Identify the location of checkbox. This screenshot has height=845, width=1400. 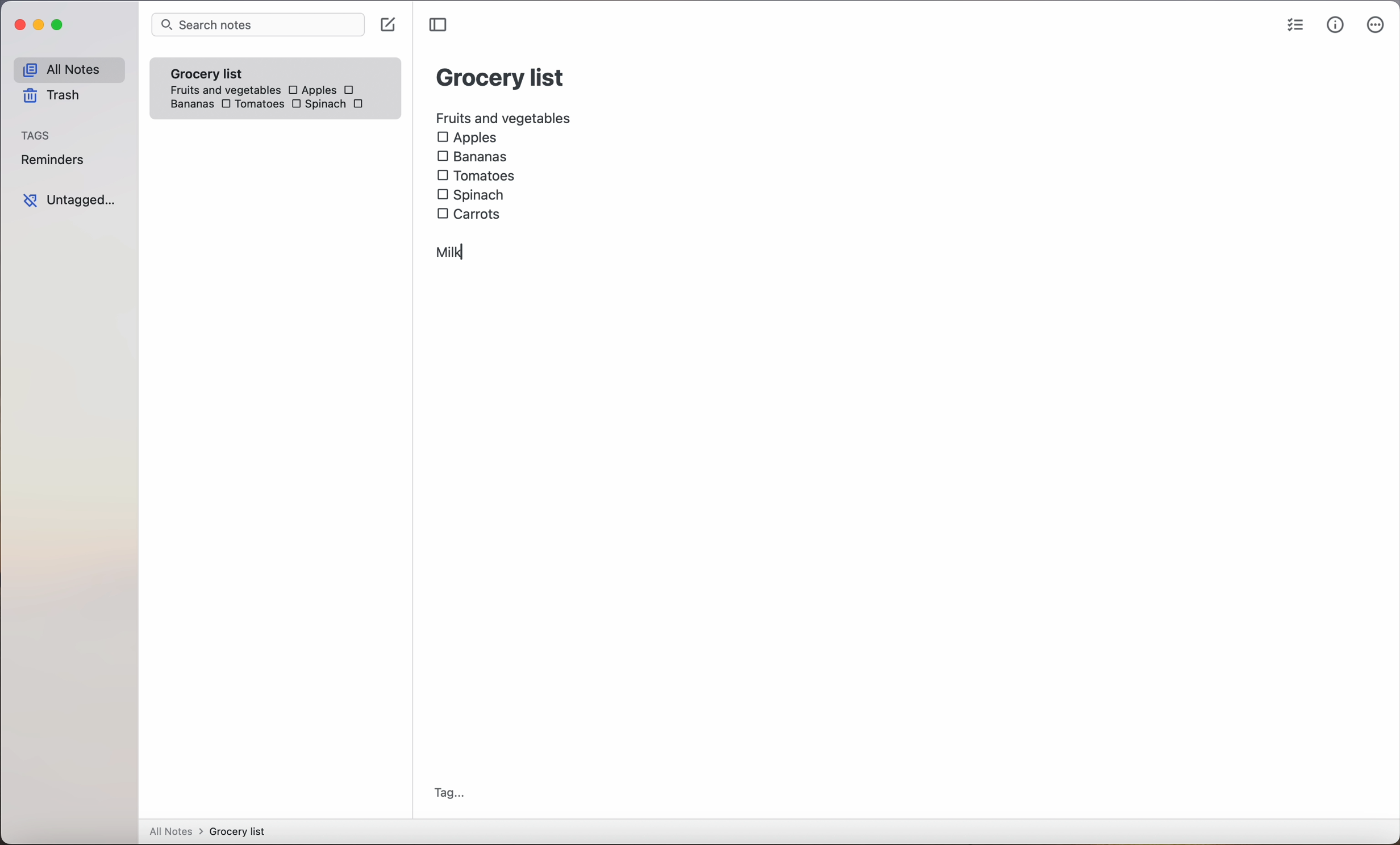
(351, 90).